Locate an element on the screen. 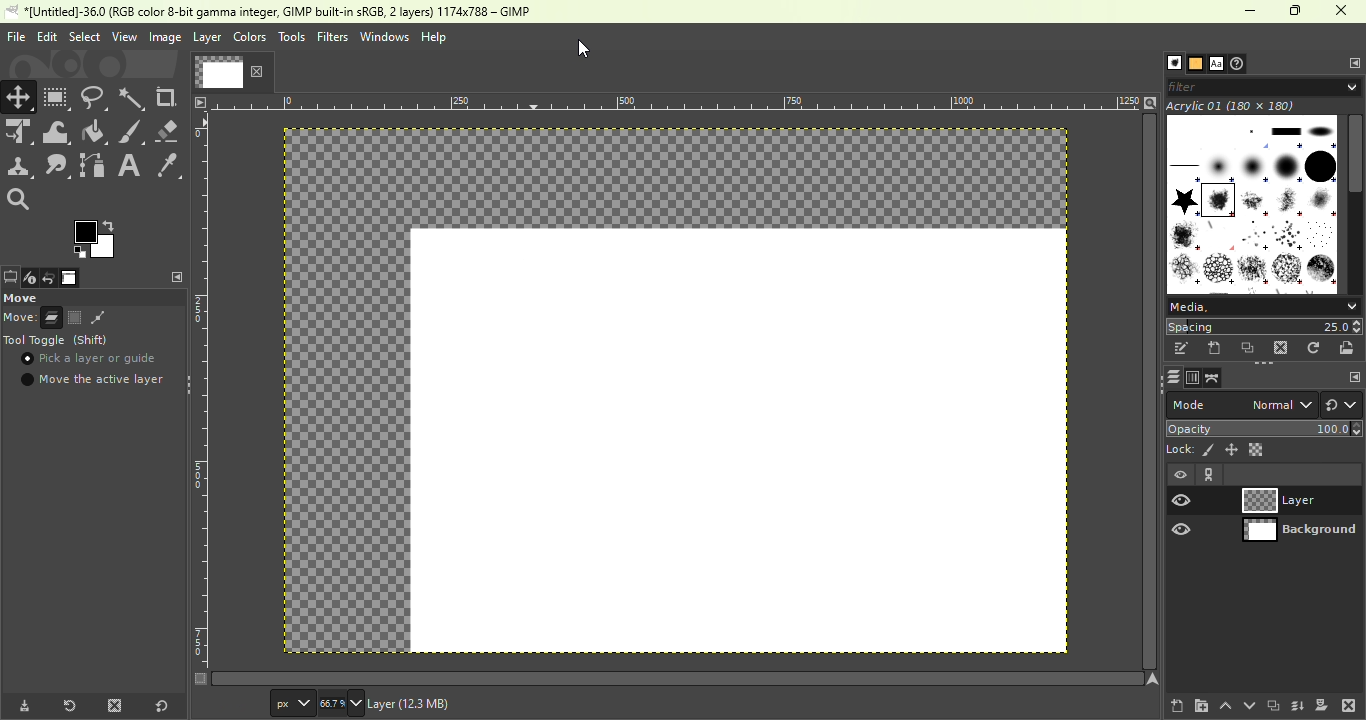 This screenshot has width=1366, height=720. Access the image menu is located at coordinates (200, 101).